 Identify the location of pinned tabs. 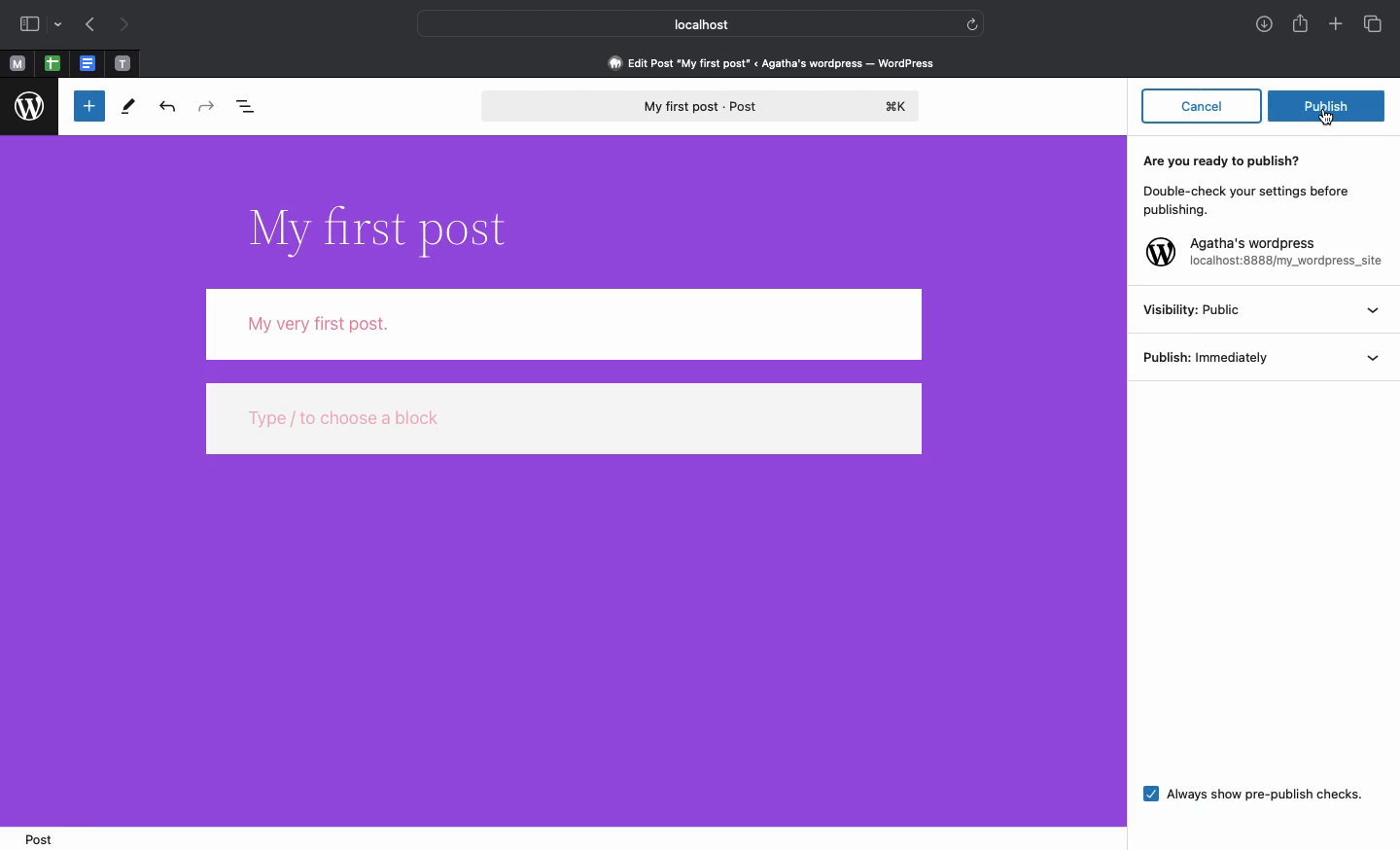
(126, 64).